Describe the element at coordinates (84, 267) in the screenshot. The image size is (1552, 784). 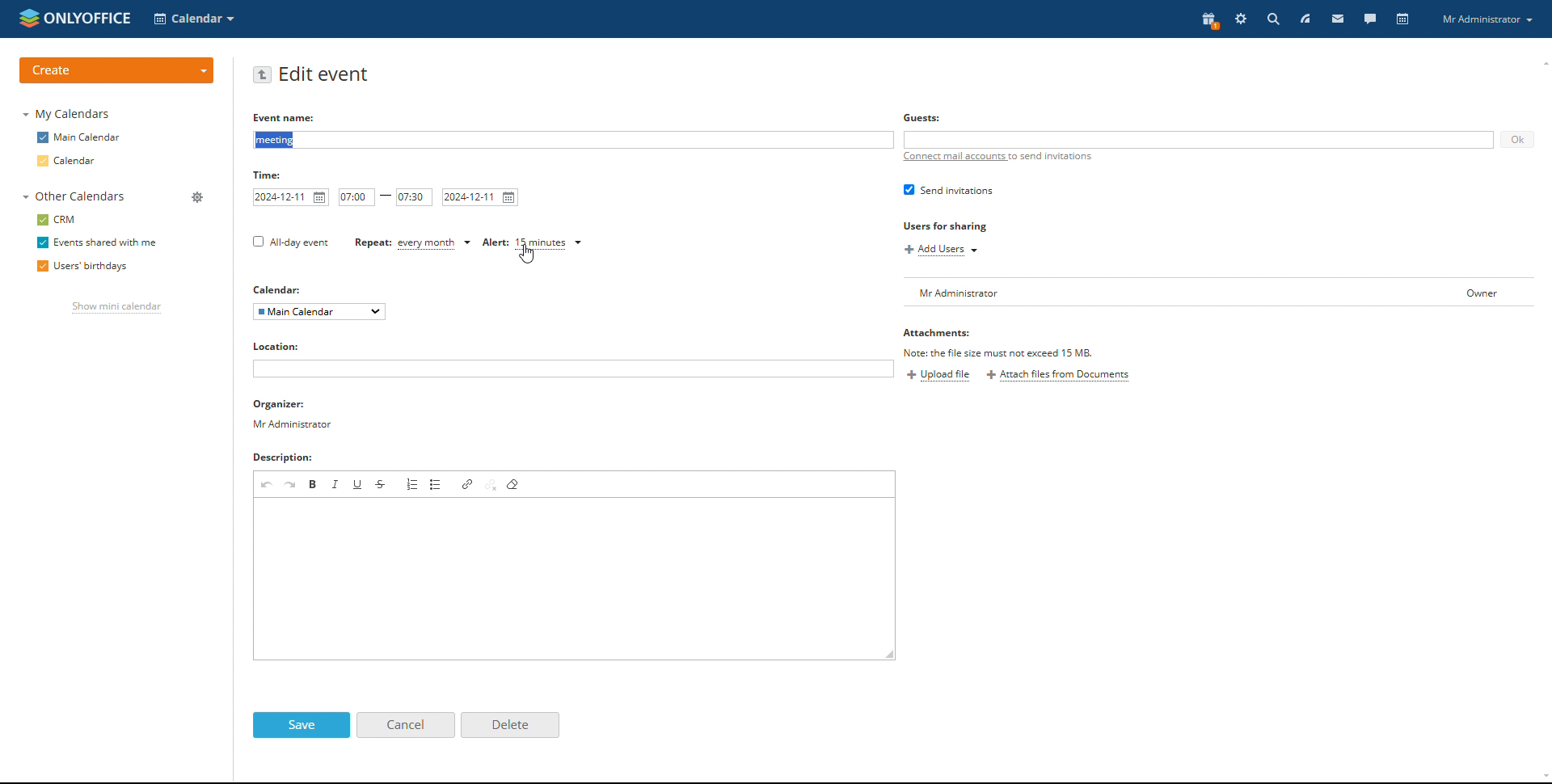
I see `users' birthdays` at that location.